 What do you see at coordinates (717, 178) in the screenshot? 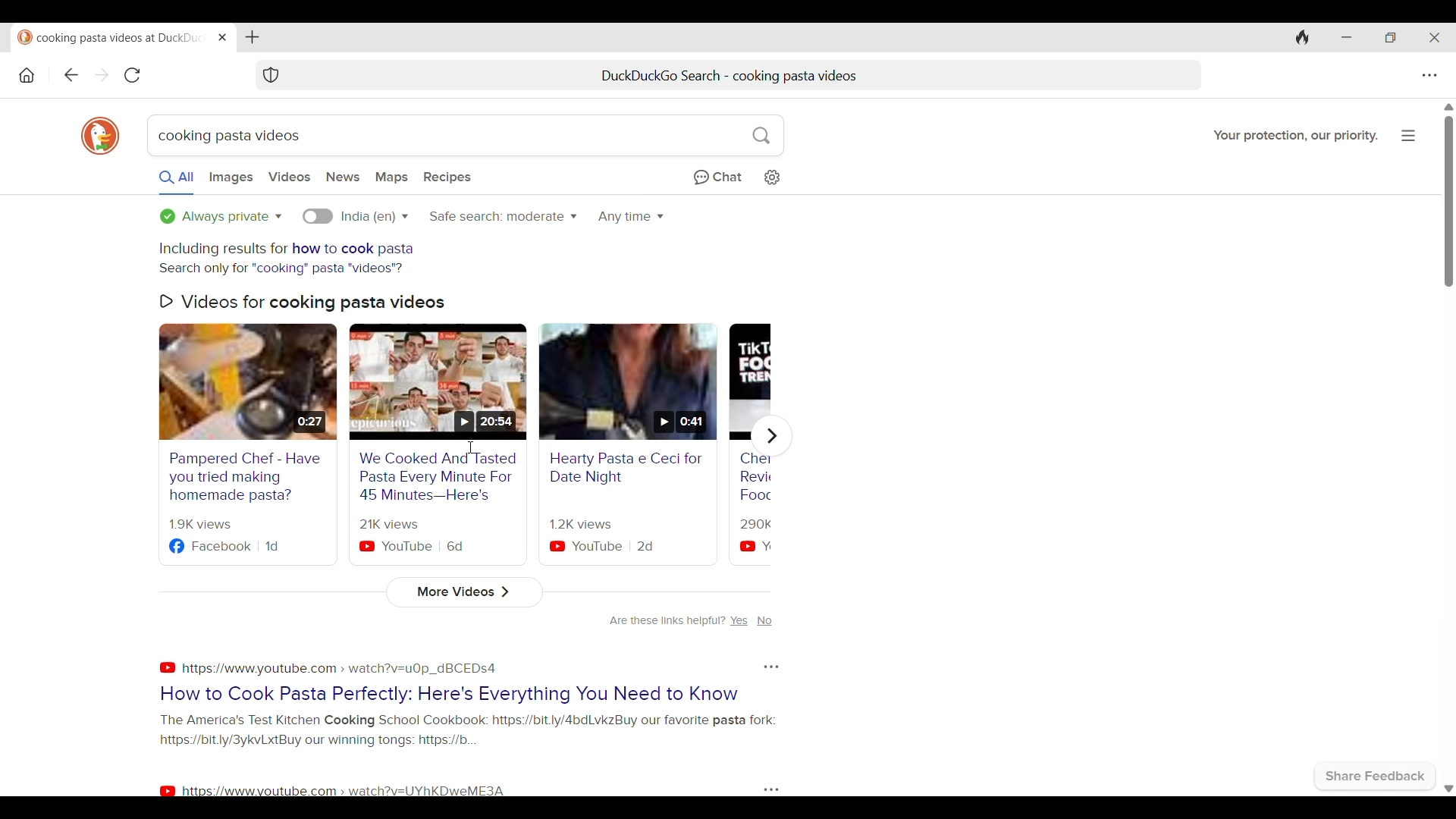
I see `Chat privately with AI` at bounding box center [717, 178].